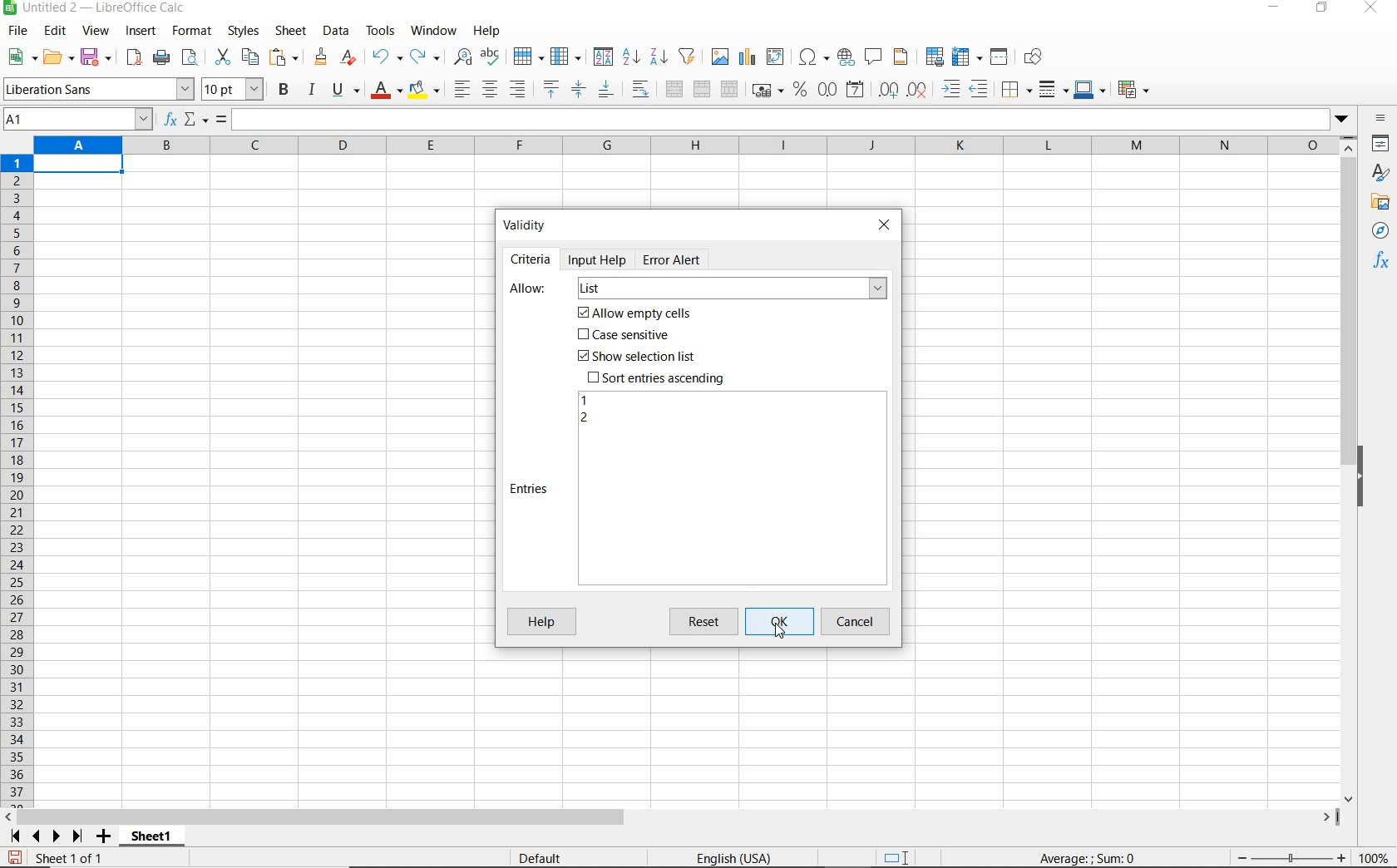 The height and width of the screenshot is (868, 1397). What do you see at coordinates (531, 259) in the screenshot?
I see `Criteria` at bounding box center [531, 259].